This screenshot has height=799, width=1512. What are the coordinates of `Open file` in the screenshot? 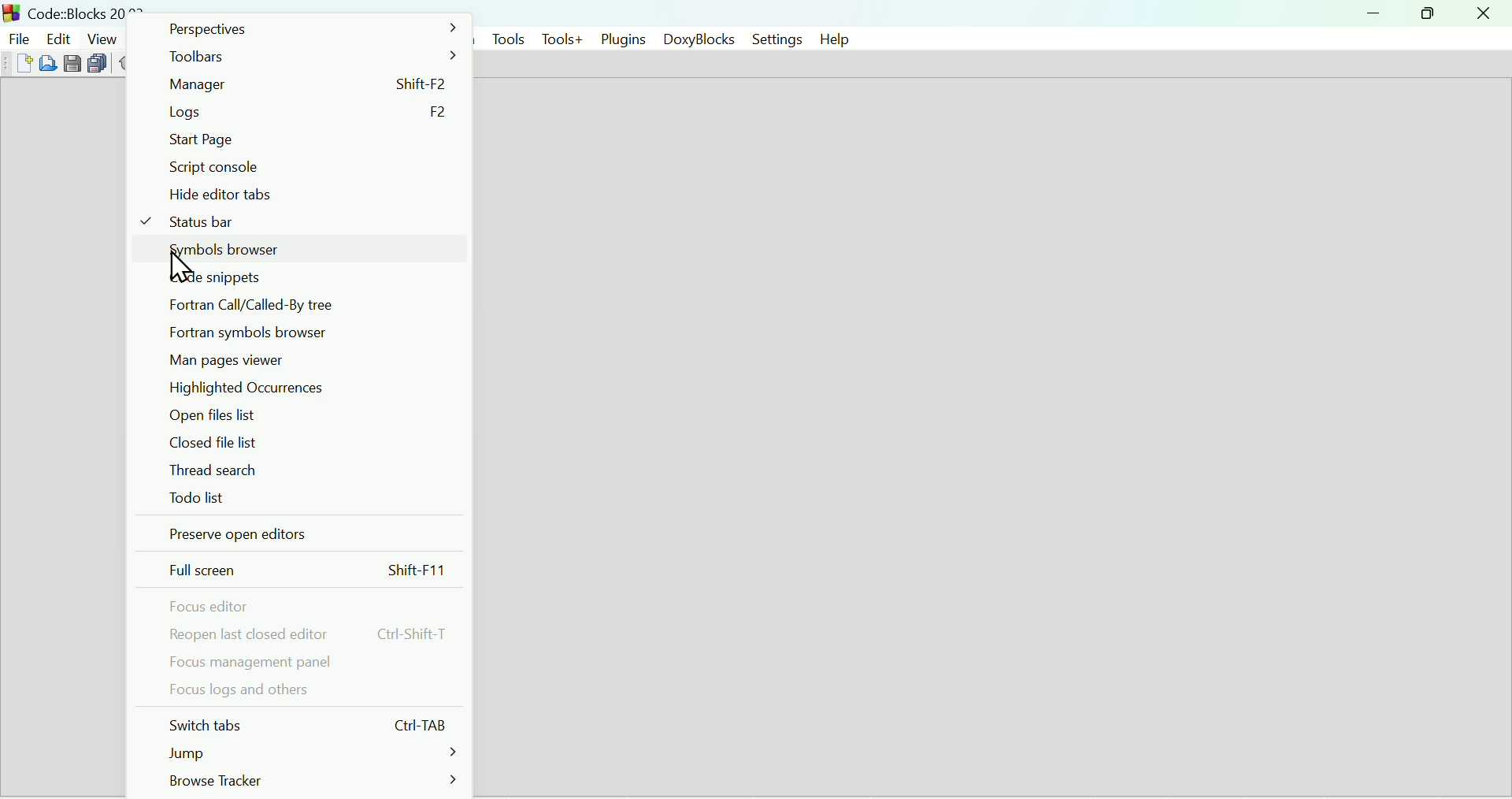 It's located at (50, 63).